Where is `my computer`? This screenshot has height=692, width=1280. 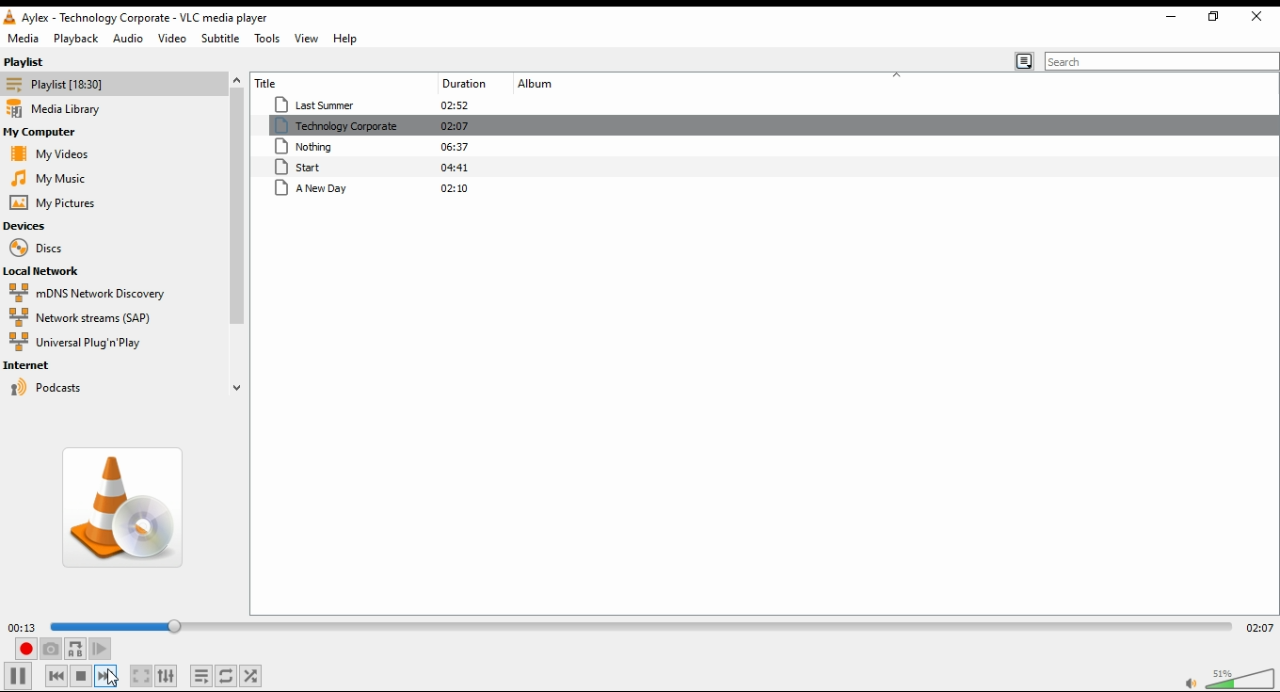 my computer is located at coordinates (43, 133).